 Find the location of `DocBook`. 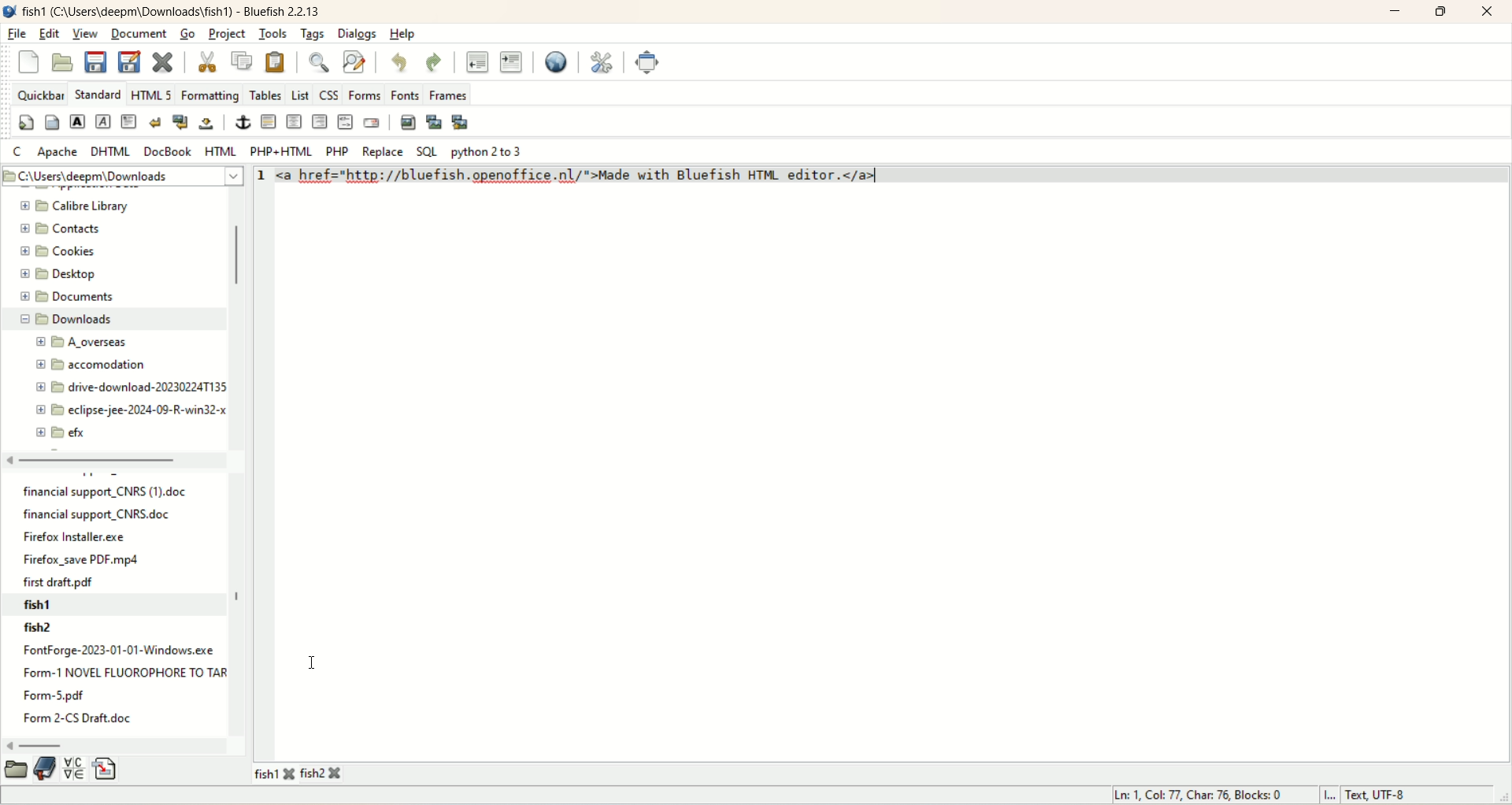

DocBook is located at coordinates (168, 150).